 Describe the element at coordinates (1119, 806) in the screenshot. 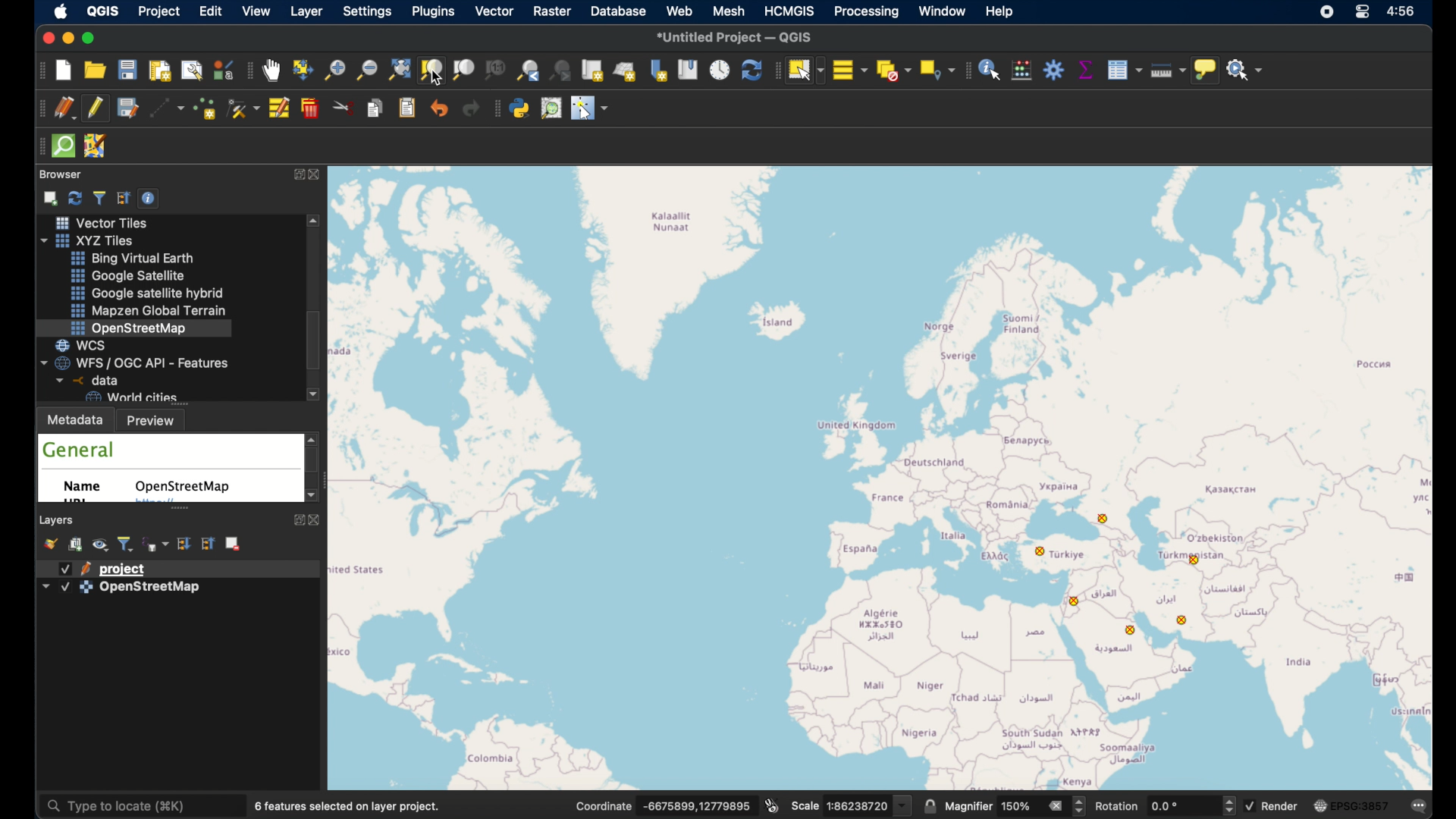

I see `rotation` at that location.